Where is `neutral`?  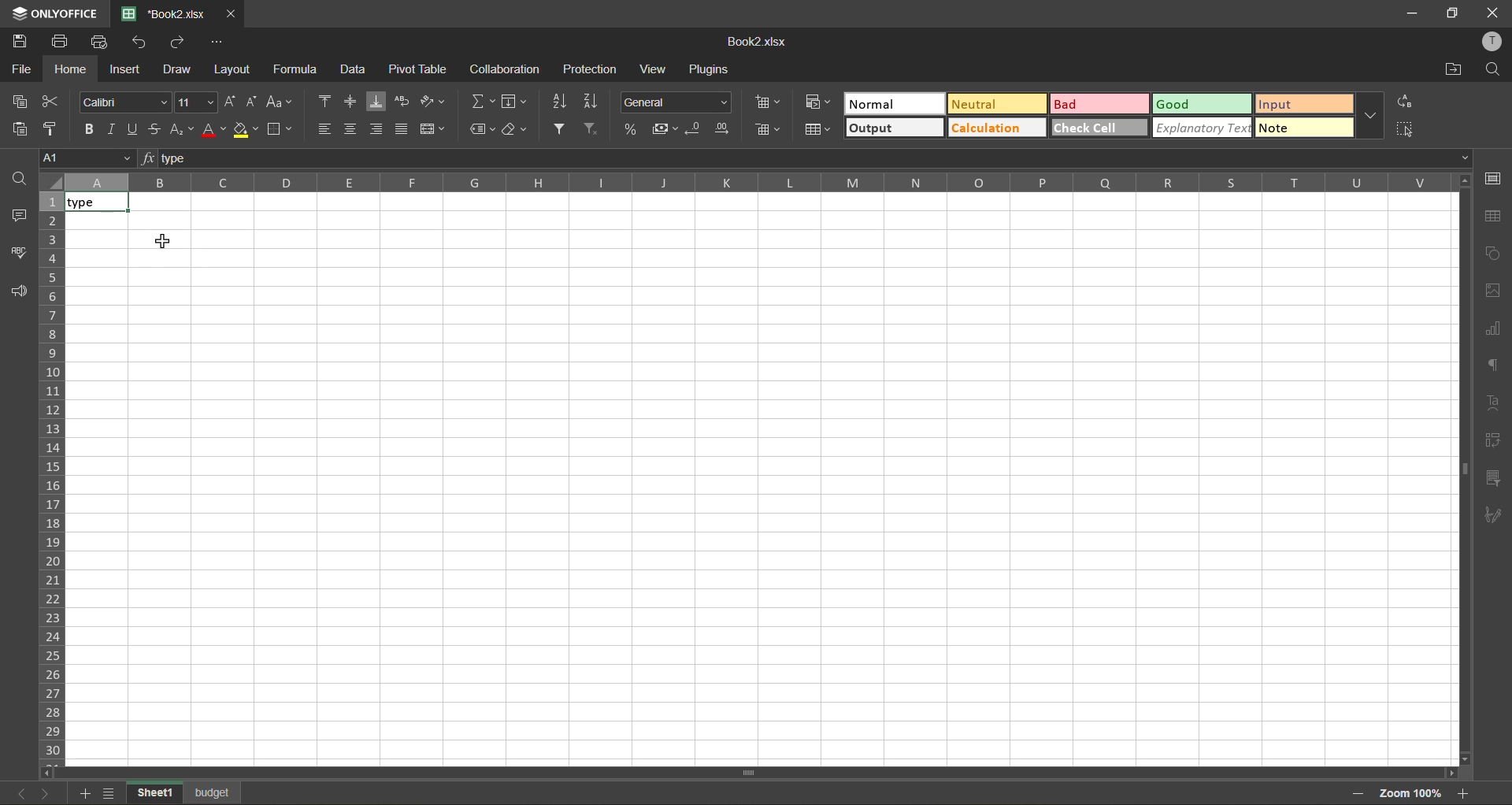
neutral is located at coordinates (996, 104).